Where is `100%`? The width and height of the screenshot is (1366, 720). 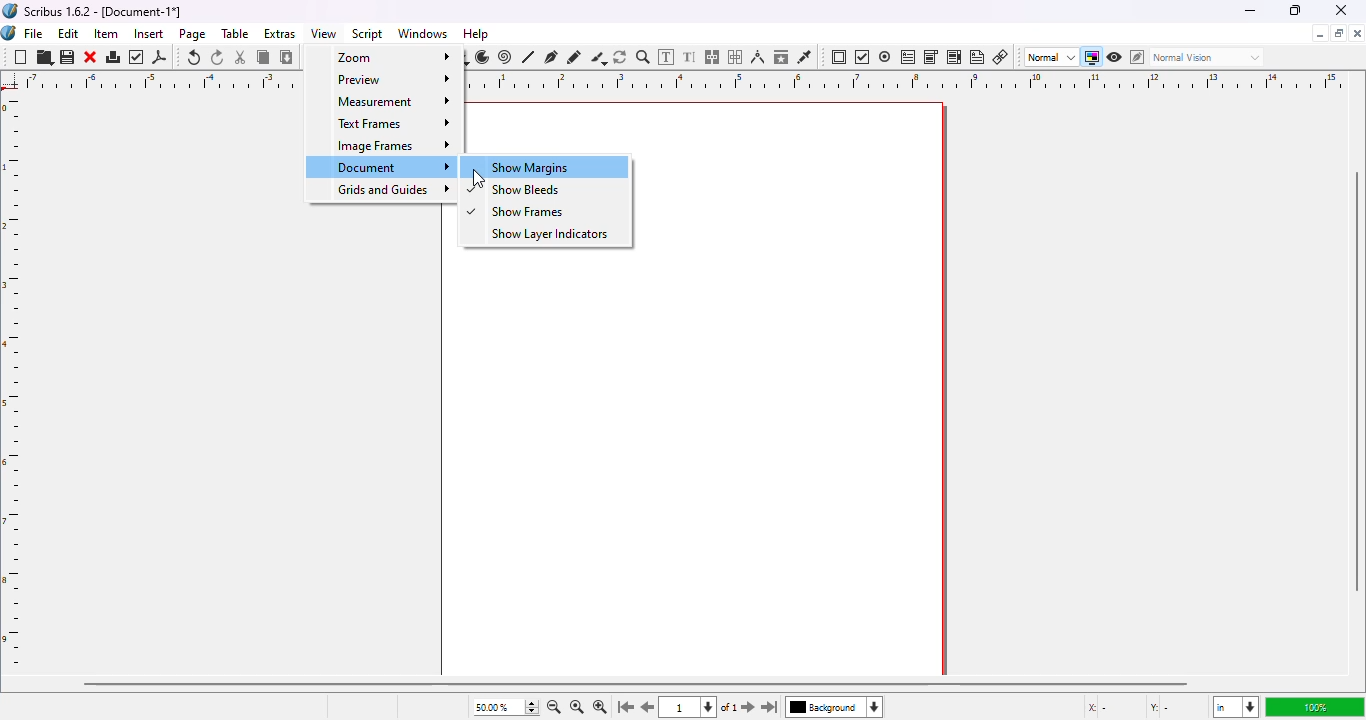
100% is located at coordinates (1311, 707).